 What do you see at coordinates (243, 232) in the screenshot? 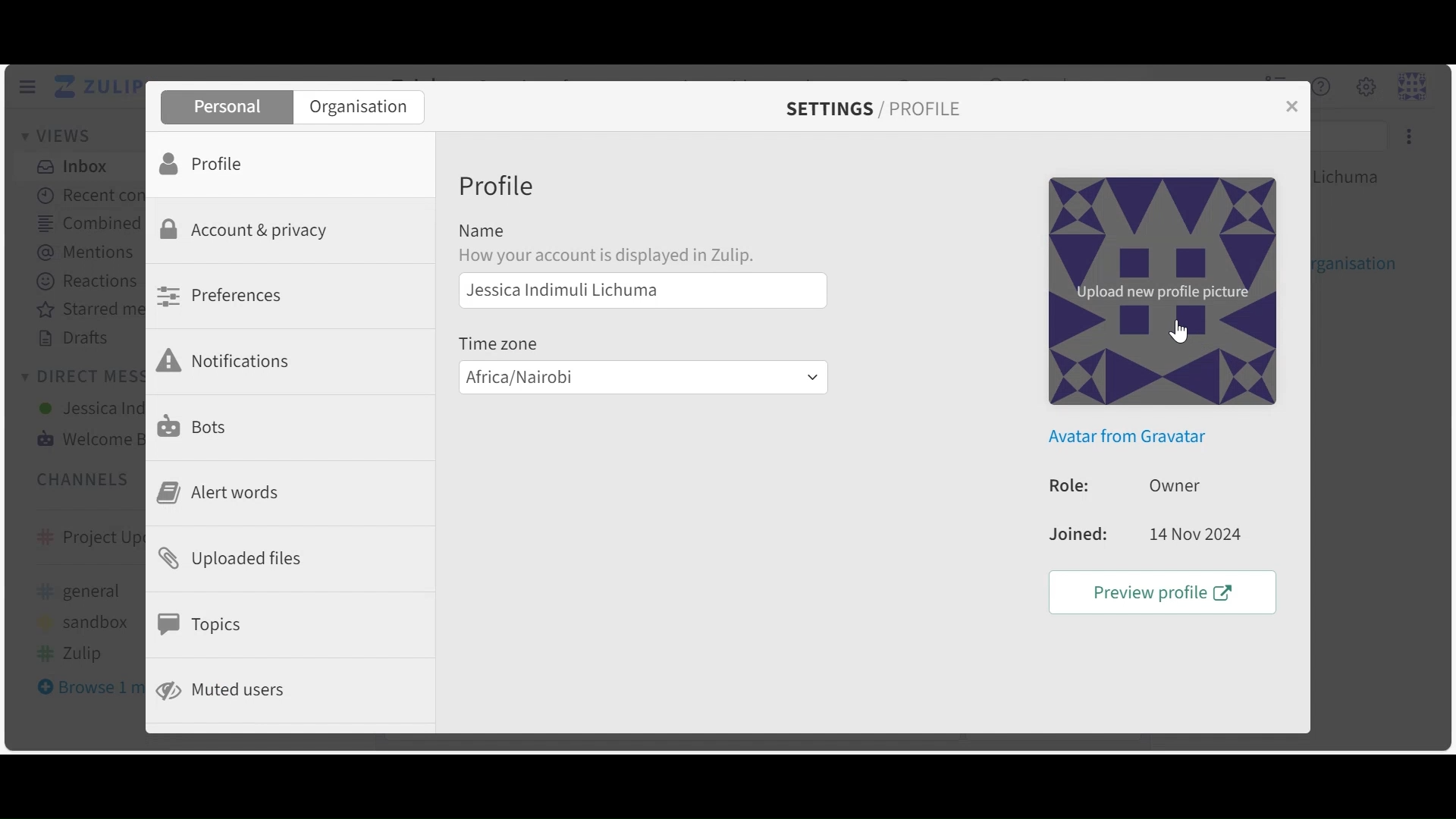
I see `Account Privacy` at bounding box center [243, 232].